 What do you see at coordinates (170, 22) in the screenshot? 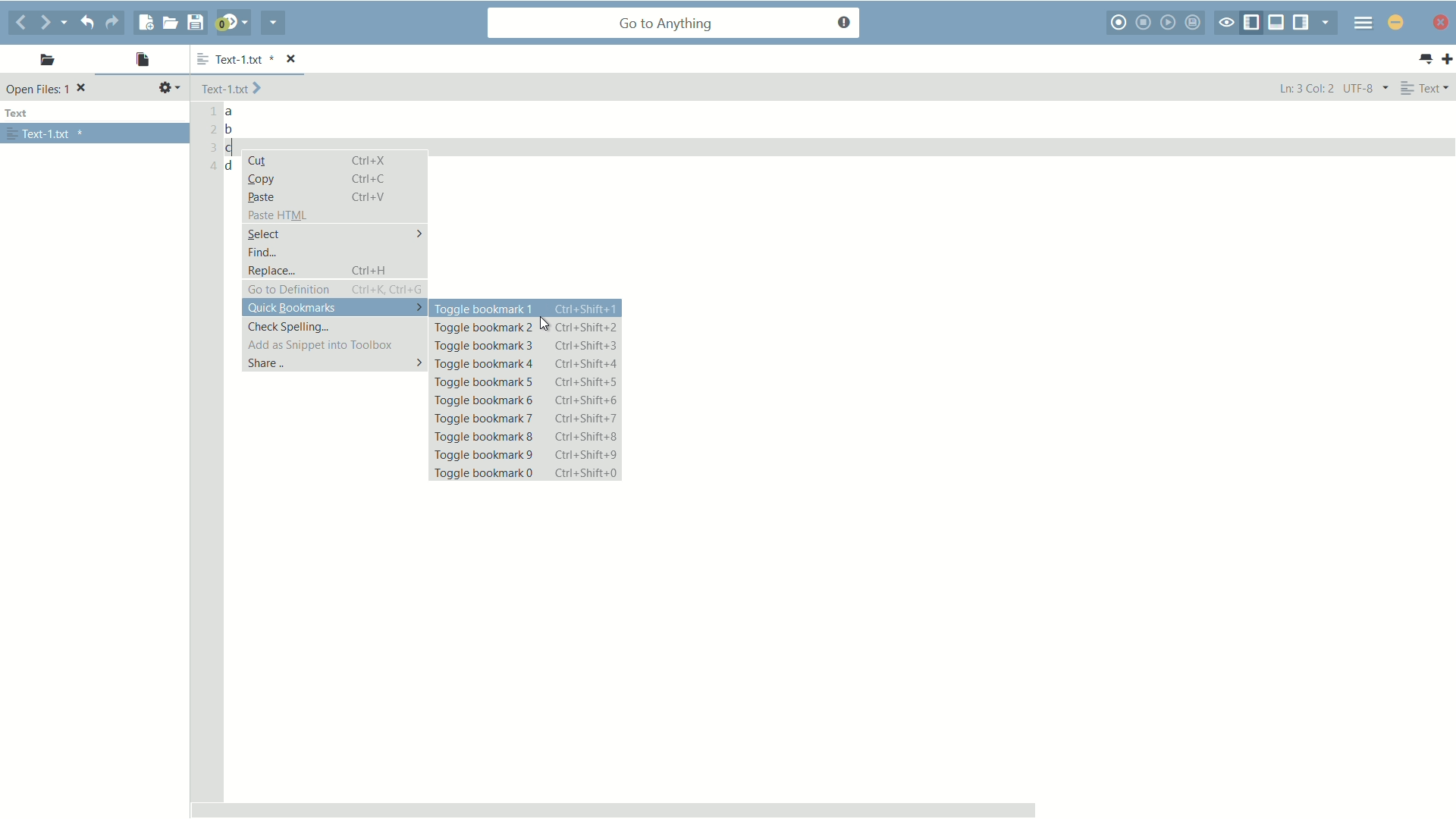
I see `open file` at bounding box center [170, 22].